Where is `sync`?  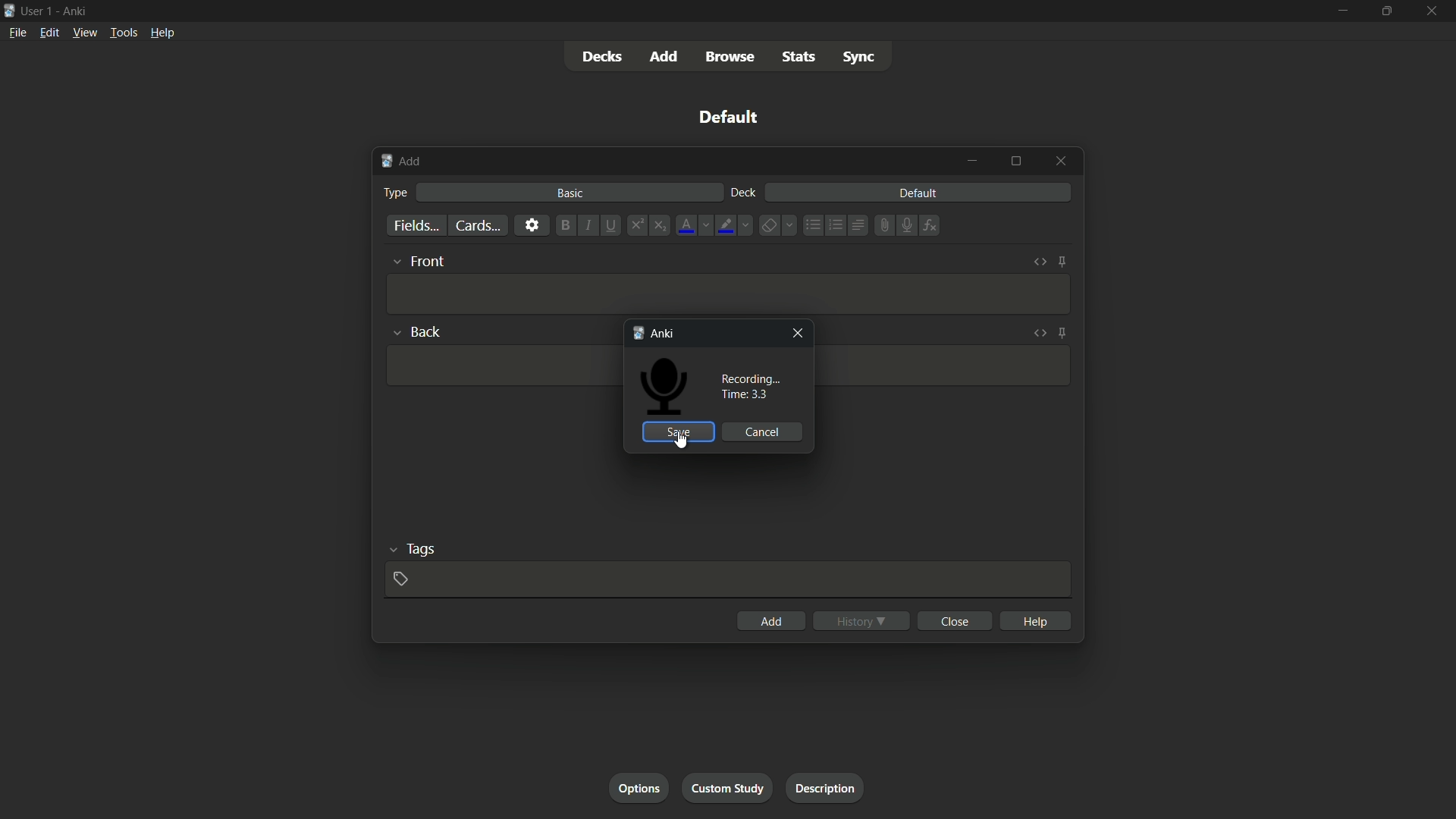
sync is located at coordinates (858, 59).